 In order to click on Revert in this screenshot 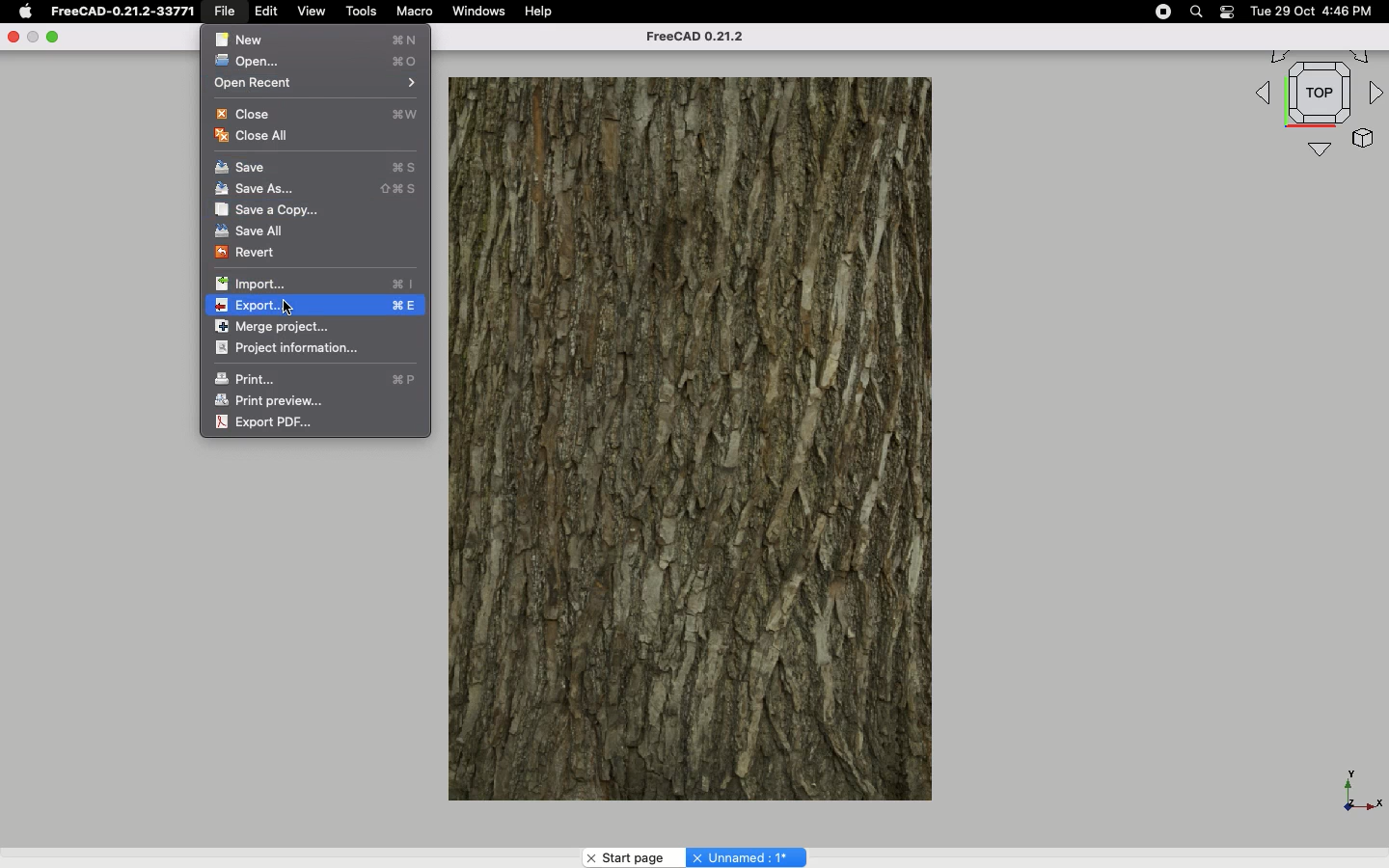, I will do `click(248, 252)`.